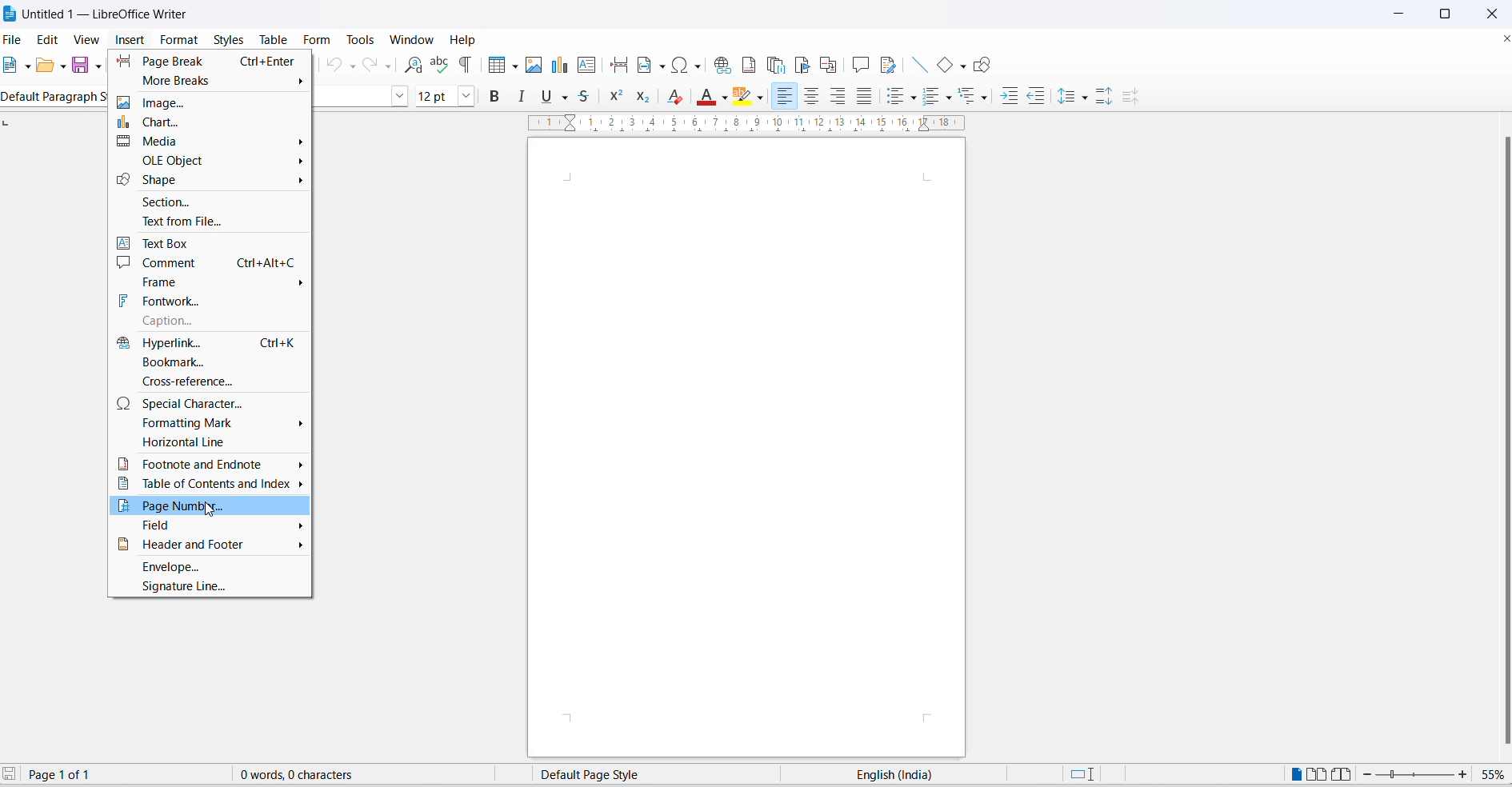 This screenshot has width=1512, height=787. What do you see at coordinates (812, 98) in the screenshot?
I see `text align center` at bounding box center [812, 98].